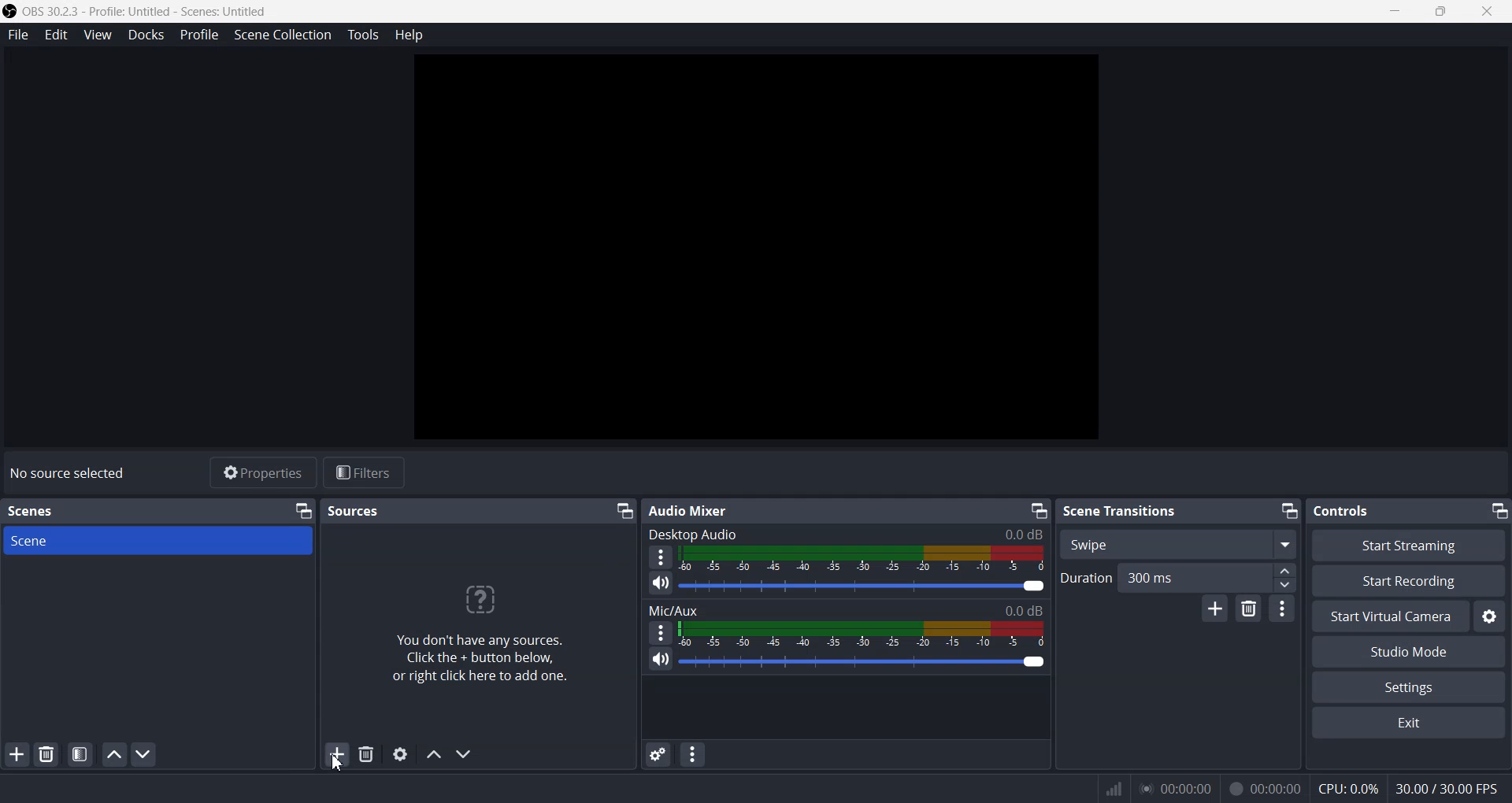 Image resolution: width=1512 pixels, height=803 pixels. Describe the element at coordinates (863, 559) in the screenshot. I see `Volume Indicator` at that location.